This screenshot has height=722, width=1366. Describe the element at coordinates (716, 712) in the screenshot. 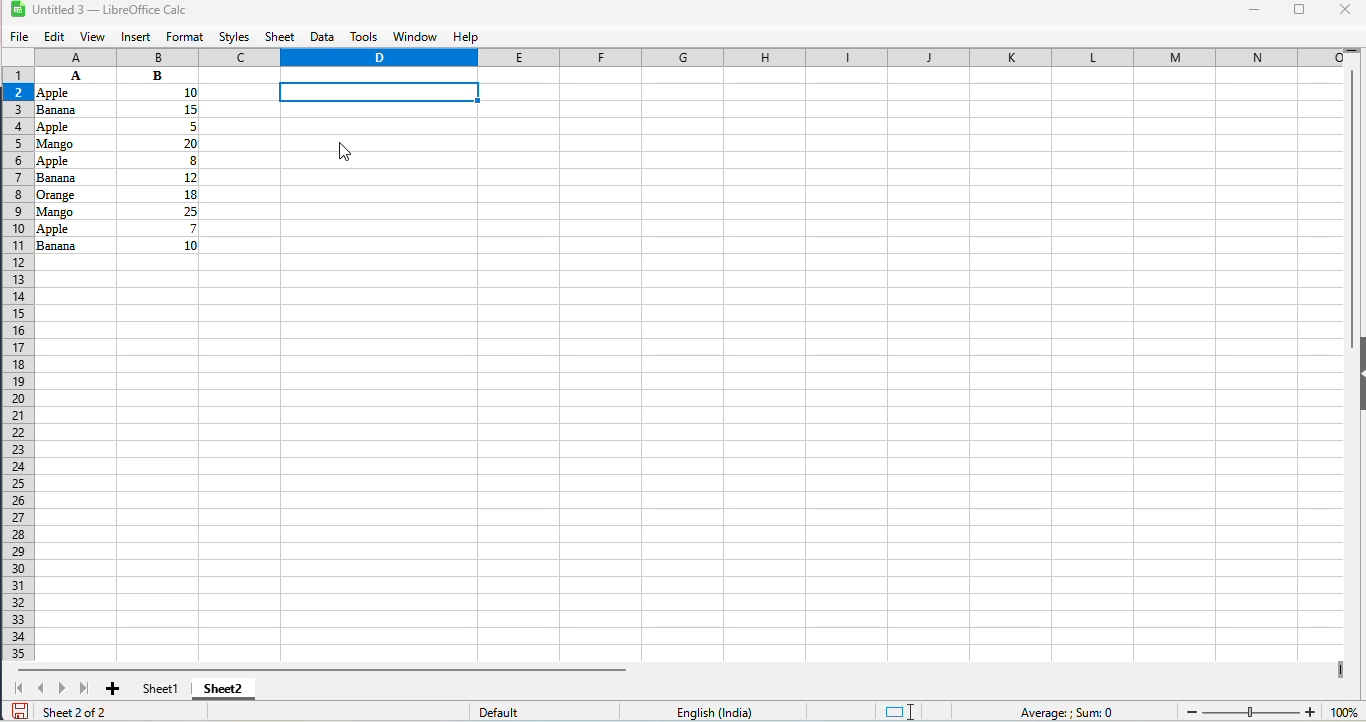

I see `text language` at that location.